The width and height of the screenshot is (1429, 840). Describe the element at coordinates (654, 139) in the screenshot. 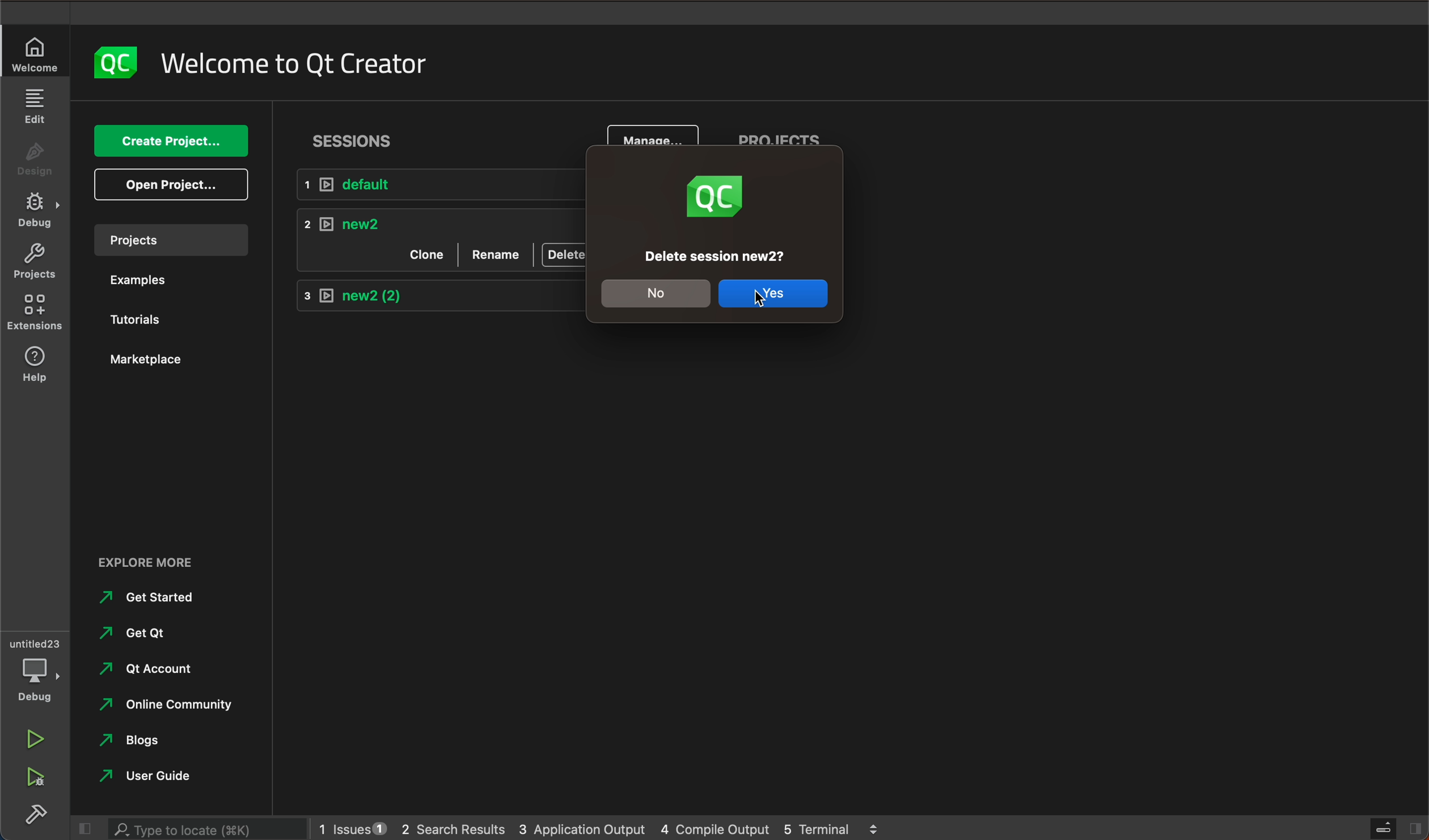

I see `manage` at that location.